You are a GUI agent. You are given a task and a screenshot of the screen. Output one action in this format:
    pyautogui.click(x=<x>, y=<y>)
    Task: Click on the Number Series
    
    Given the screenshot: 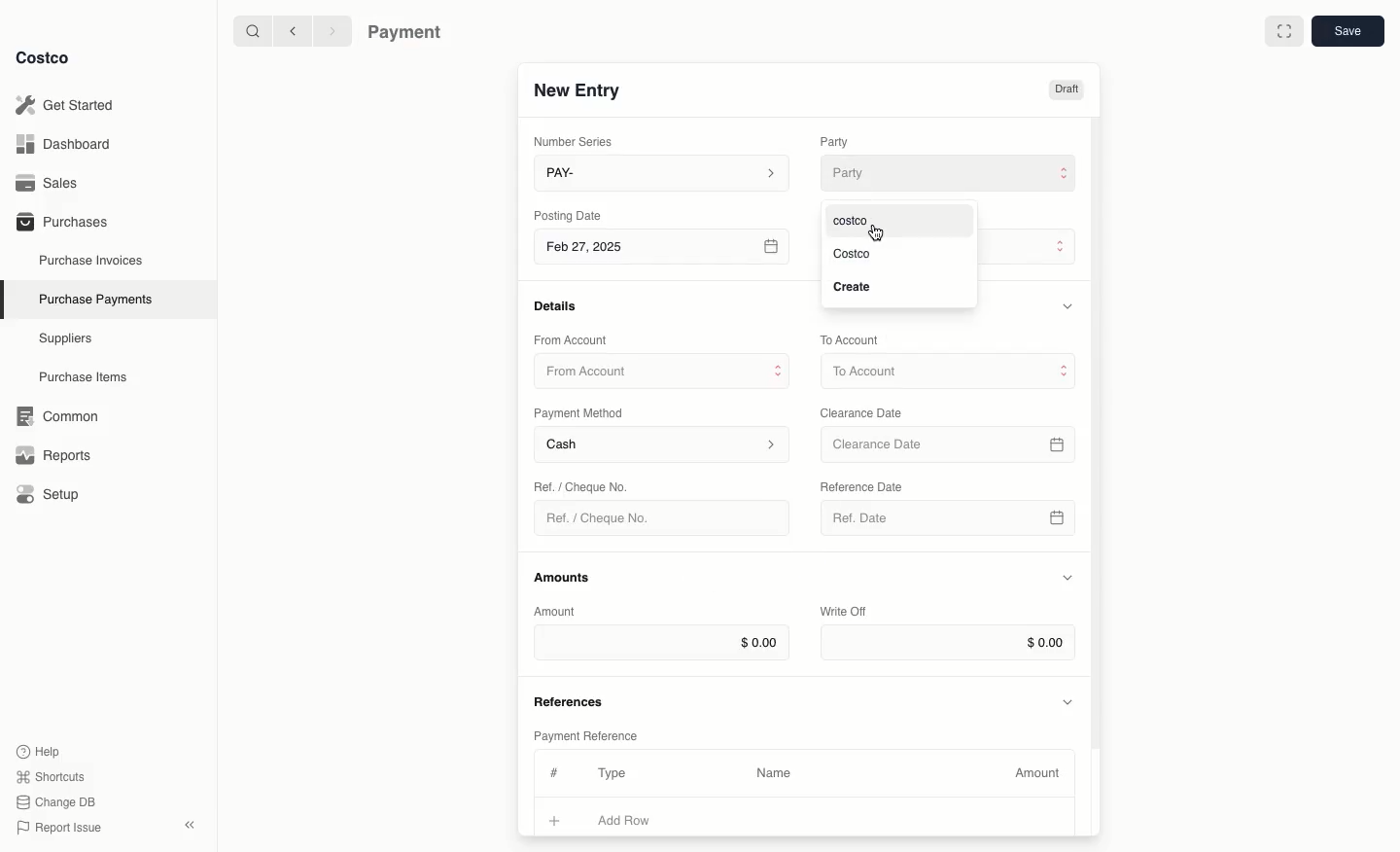 What is the action you would take?
    pyautogui.click(x=577, y=141)
    